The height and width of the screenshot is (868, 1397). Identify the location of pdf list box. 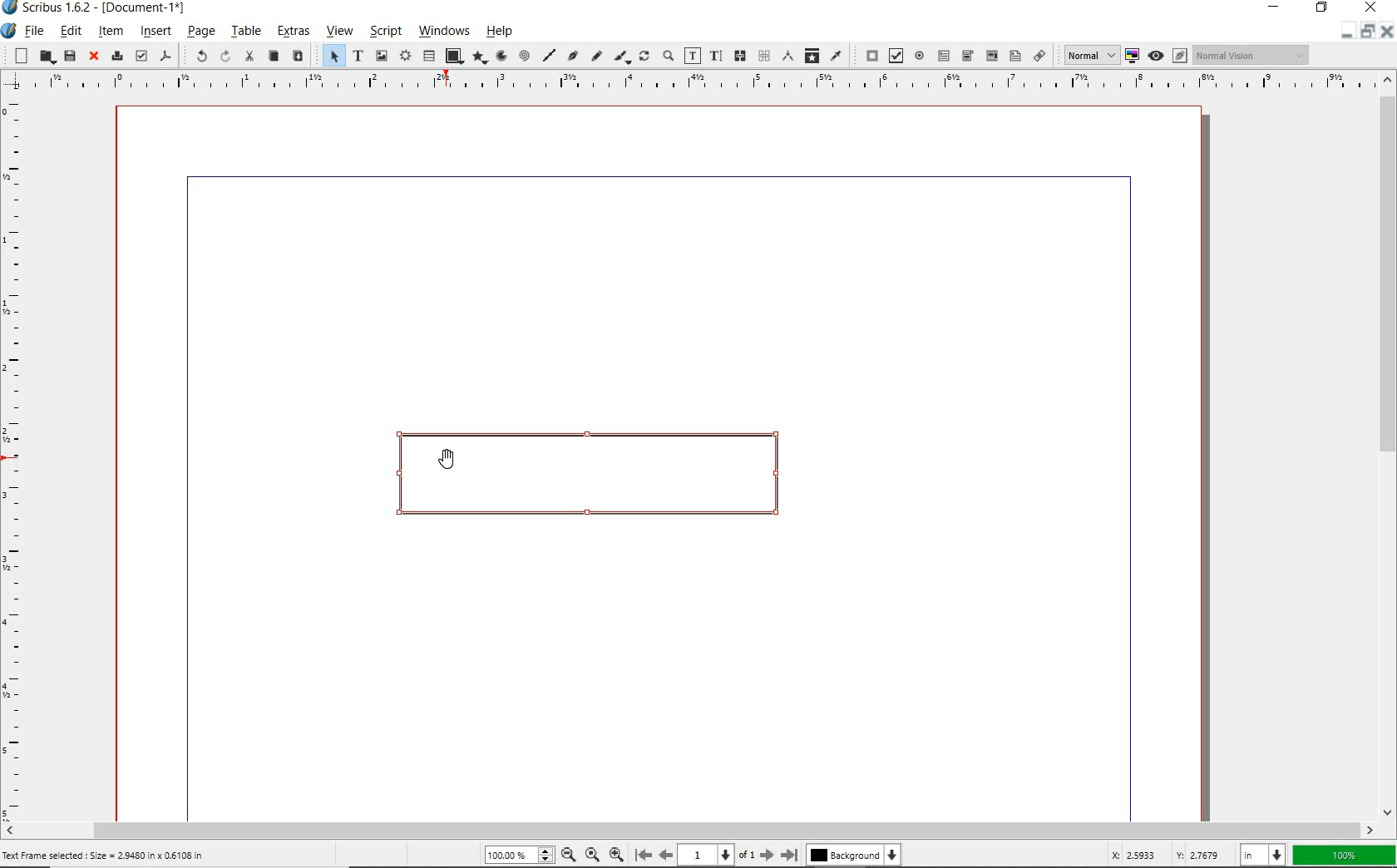
(990, 55).